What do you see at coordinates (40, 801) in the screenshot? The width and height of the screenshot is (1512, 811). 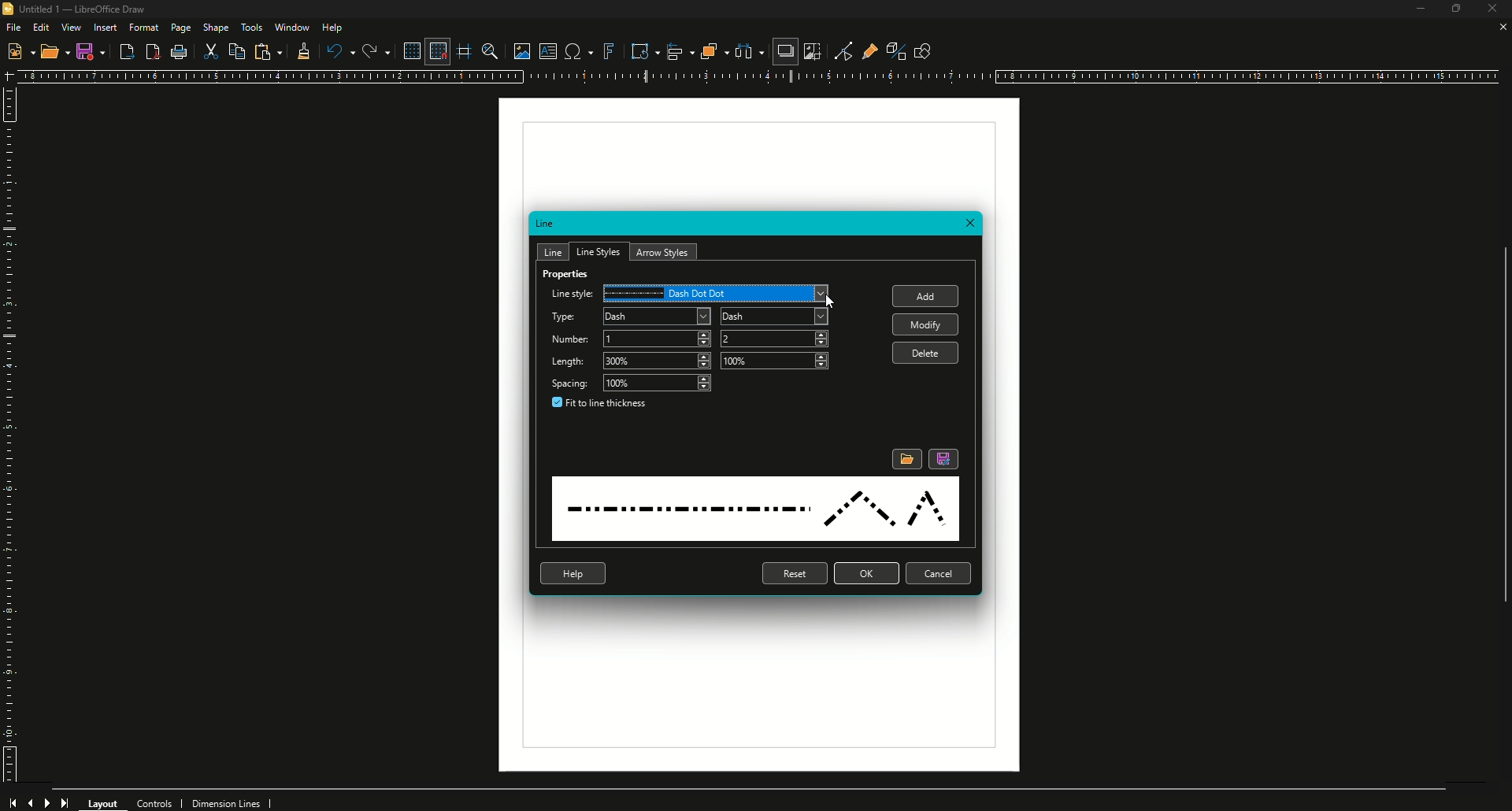 I see `forward and backward button` at bounding box center [40, 801].